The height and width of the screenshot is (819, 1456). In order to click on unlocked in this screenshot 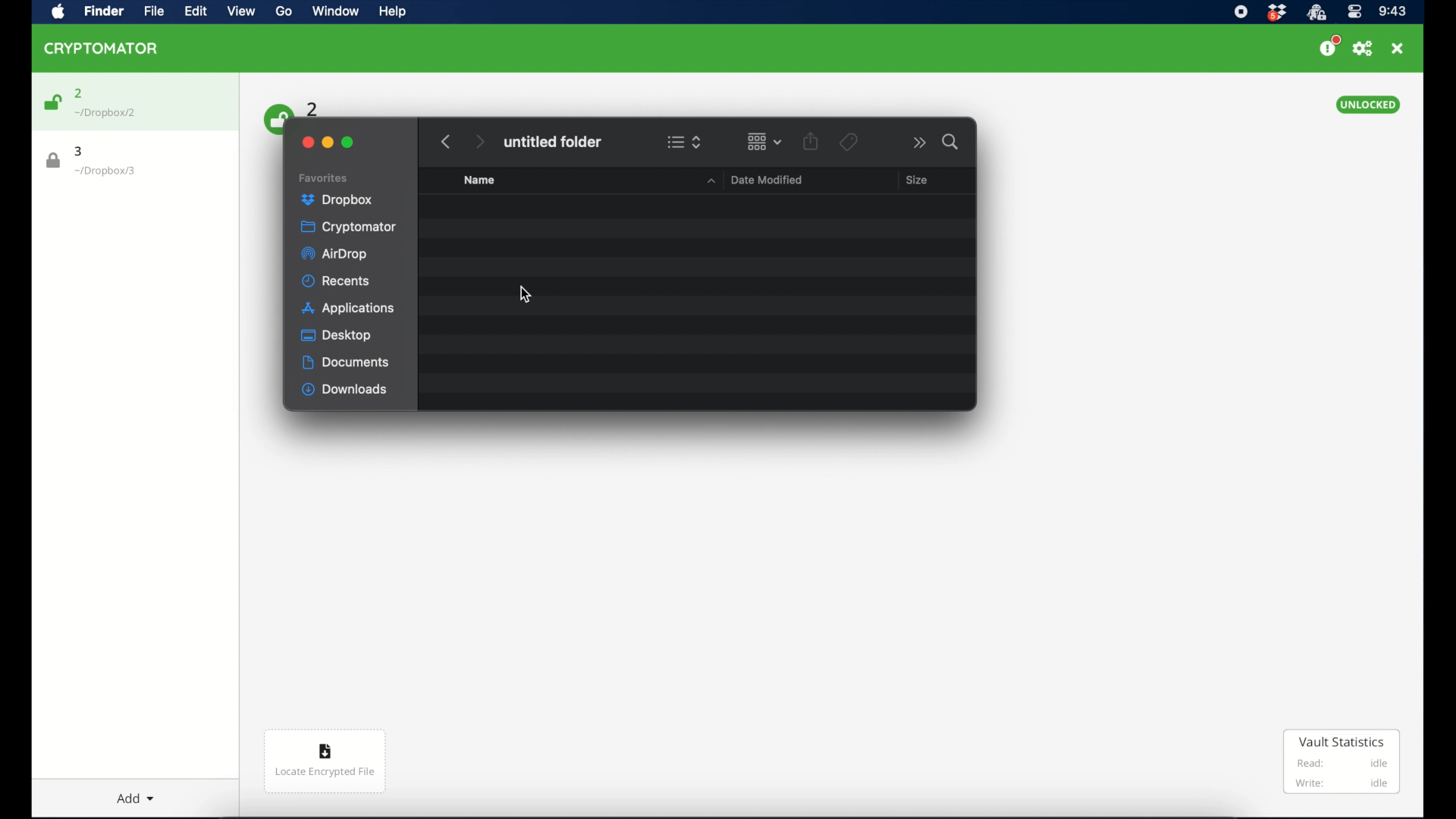, I will do `click(1367, 105)`.